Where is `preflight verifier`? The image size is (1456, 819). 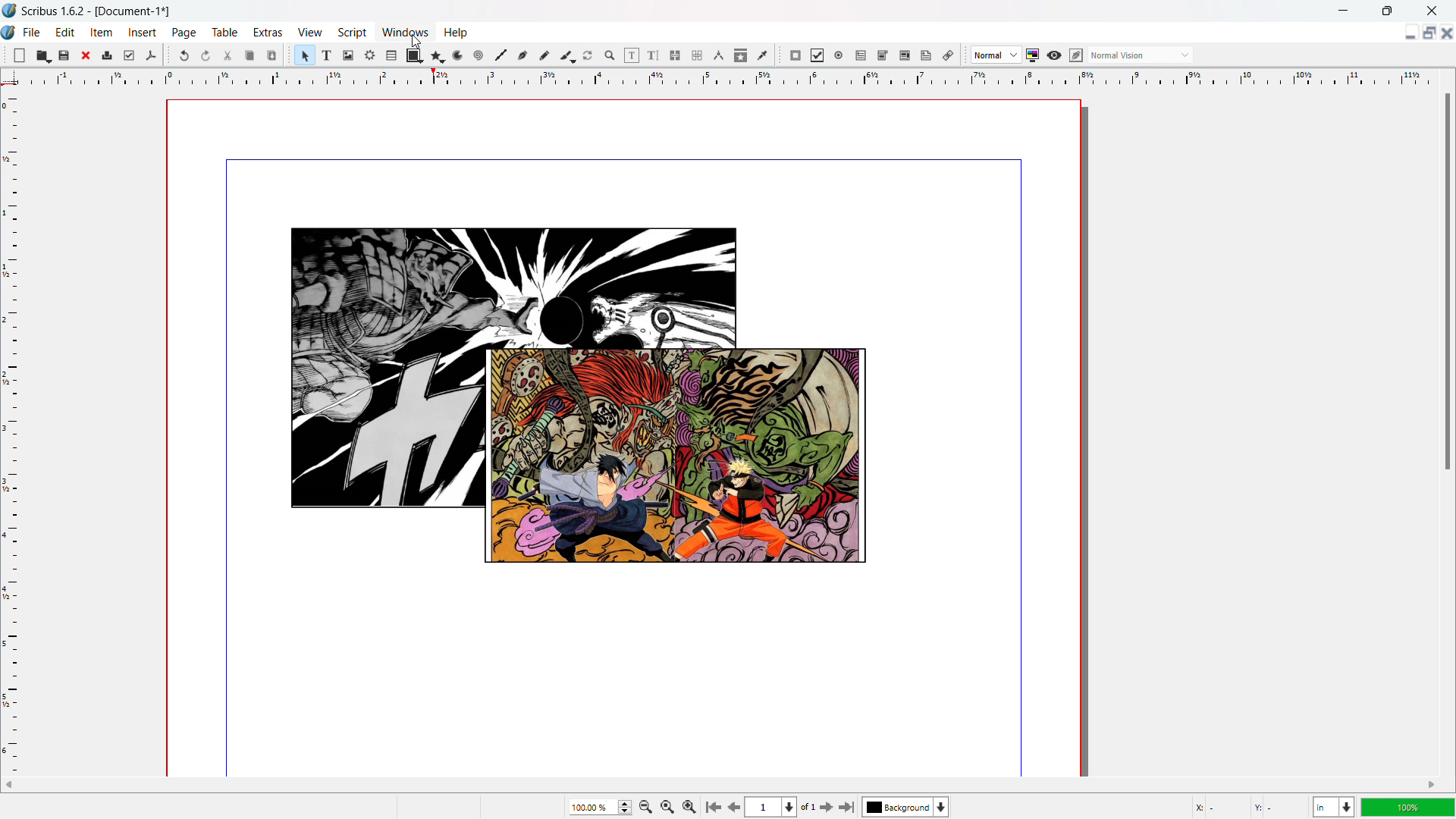 preflight verifier is located at coordinates (129, 55).